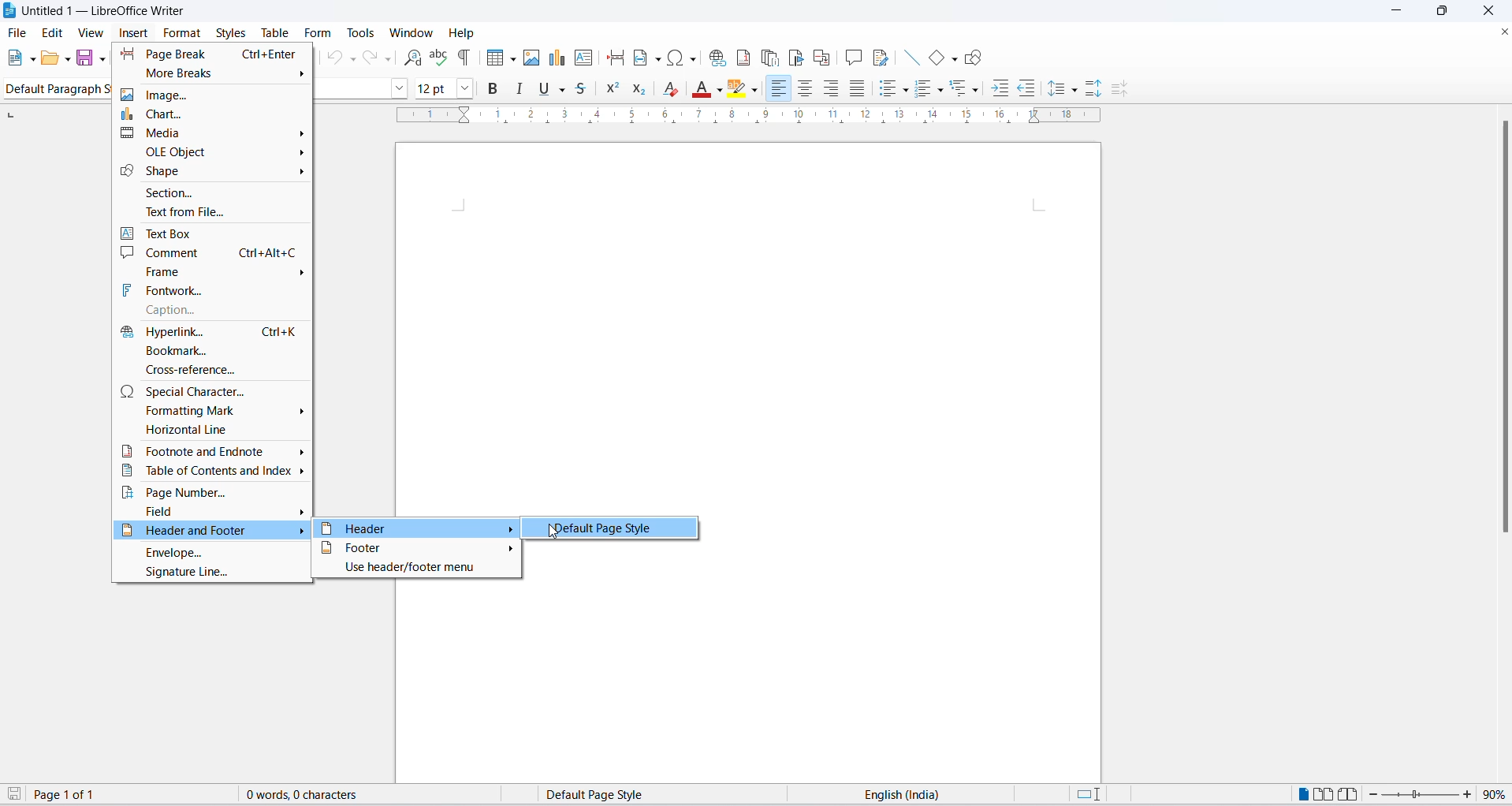  I want to click on text box, so click(210, 230).